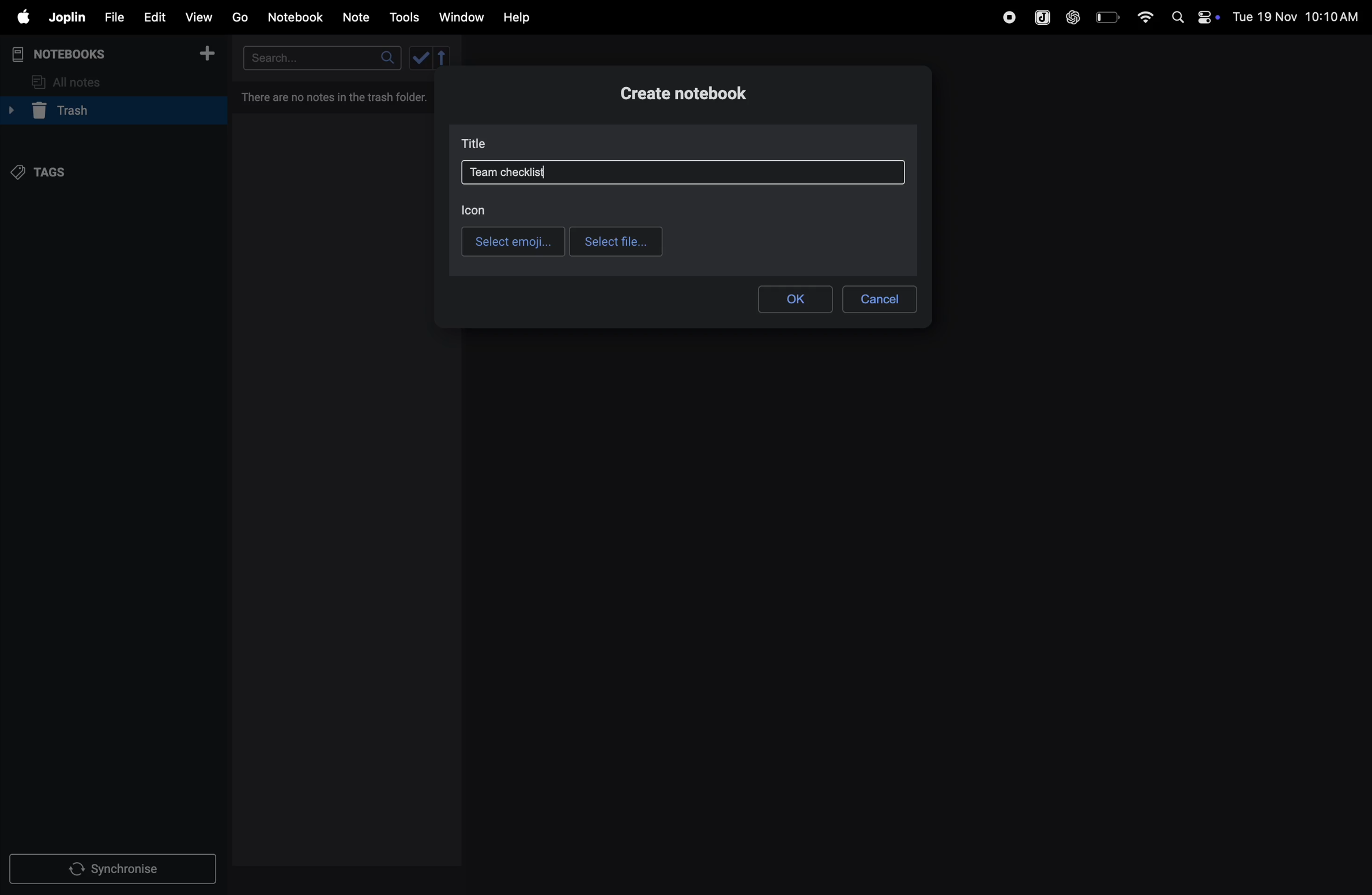  Describe the element at coordinates (511, 241) in the screenshot. I see `select emoji` at that location.